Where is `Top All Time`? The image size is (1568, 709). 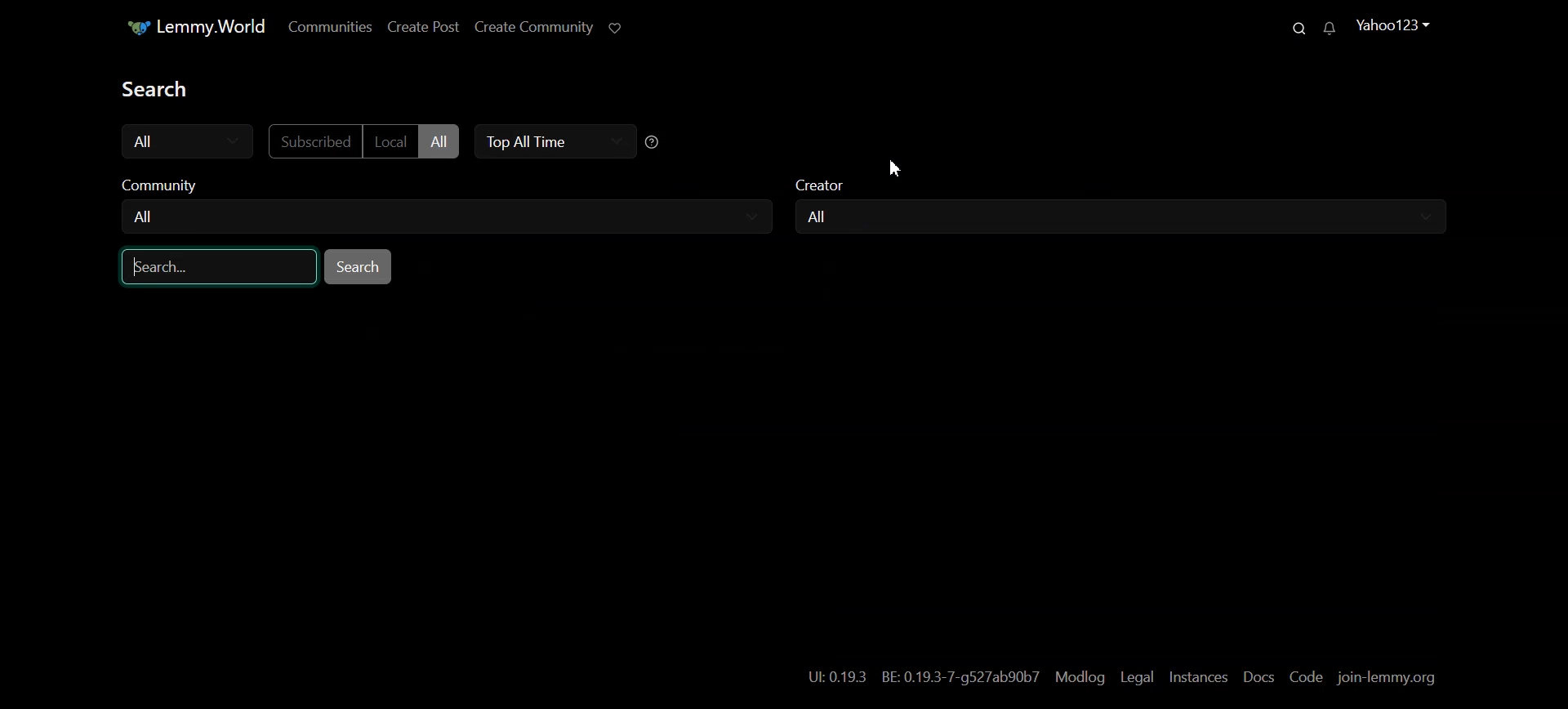
Top All Time is located at coordinates (551, 142).